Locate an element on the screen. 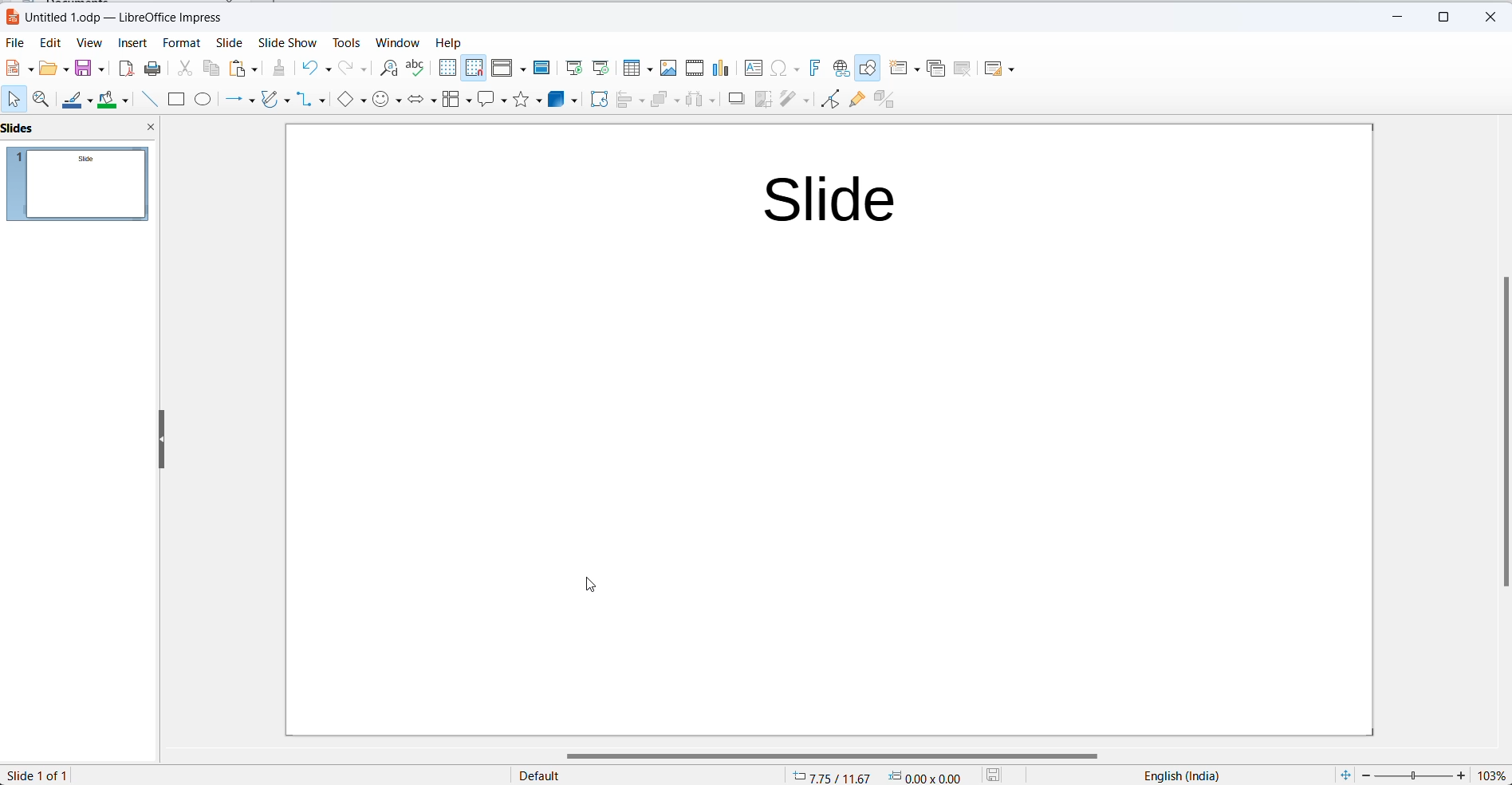 The height and width of the screenshot is (785, 1512). Print is located at coordinates (150, 69).